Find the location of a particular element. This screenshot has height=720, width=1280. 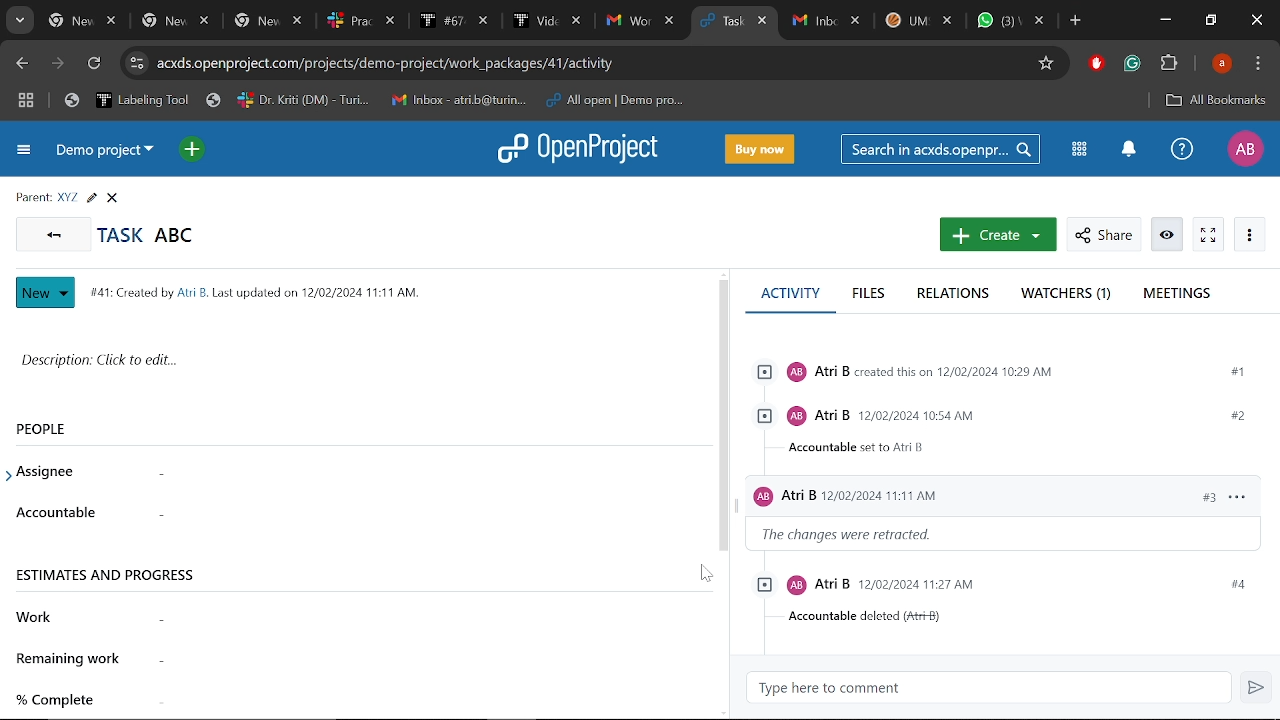

Expand project menu is located at coordinates (25, 150).